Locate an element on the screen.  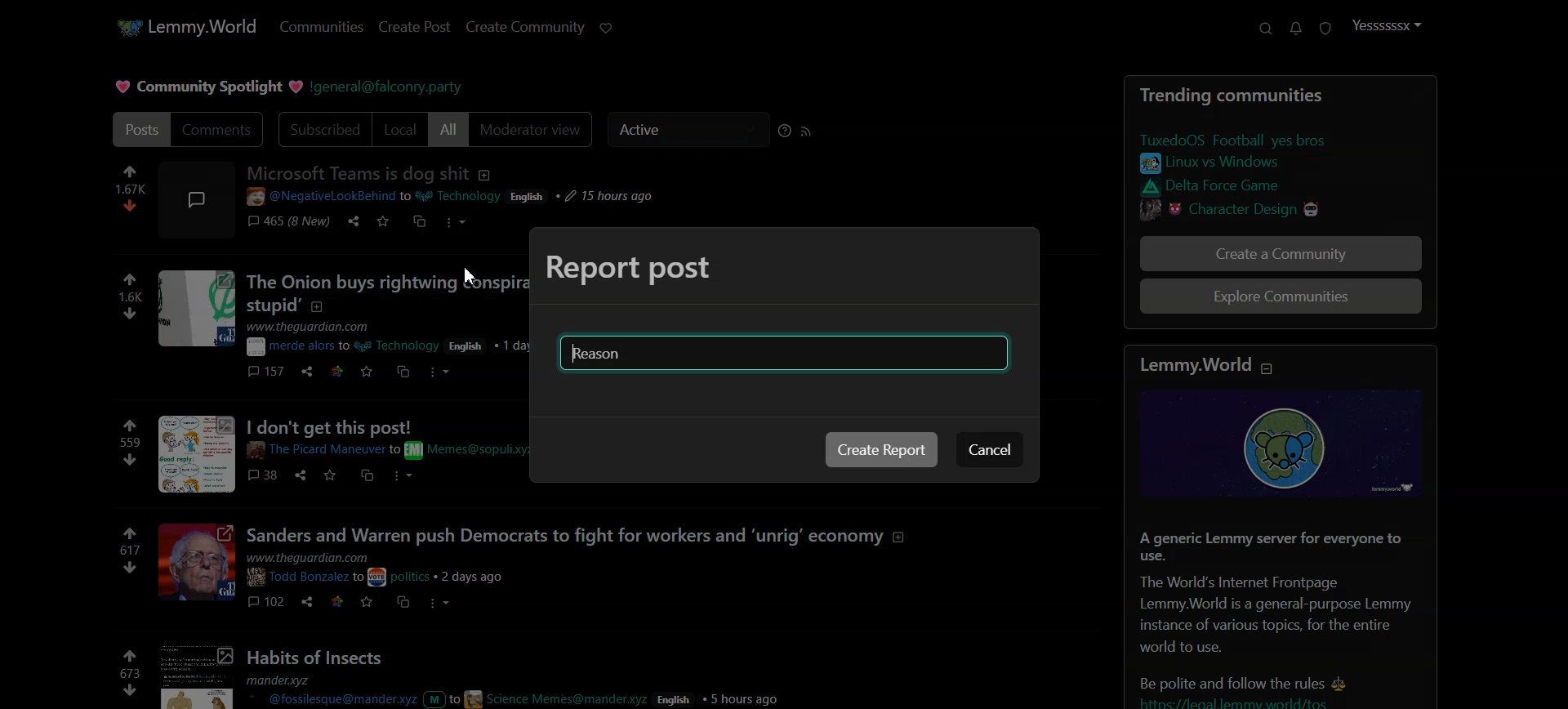
image is located at coordinates (198, 453).